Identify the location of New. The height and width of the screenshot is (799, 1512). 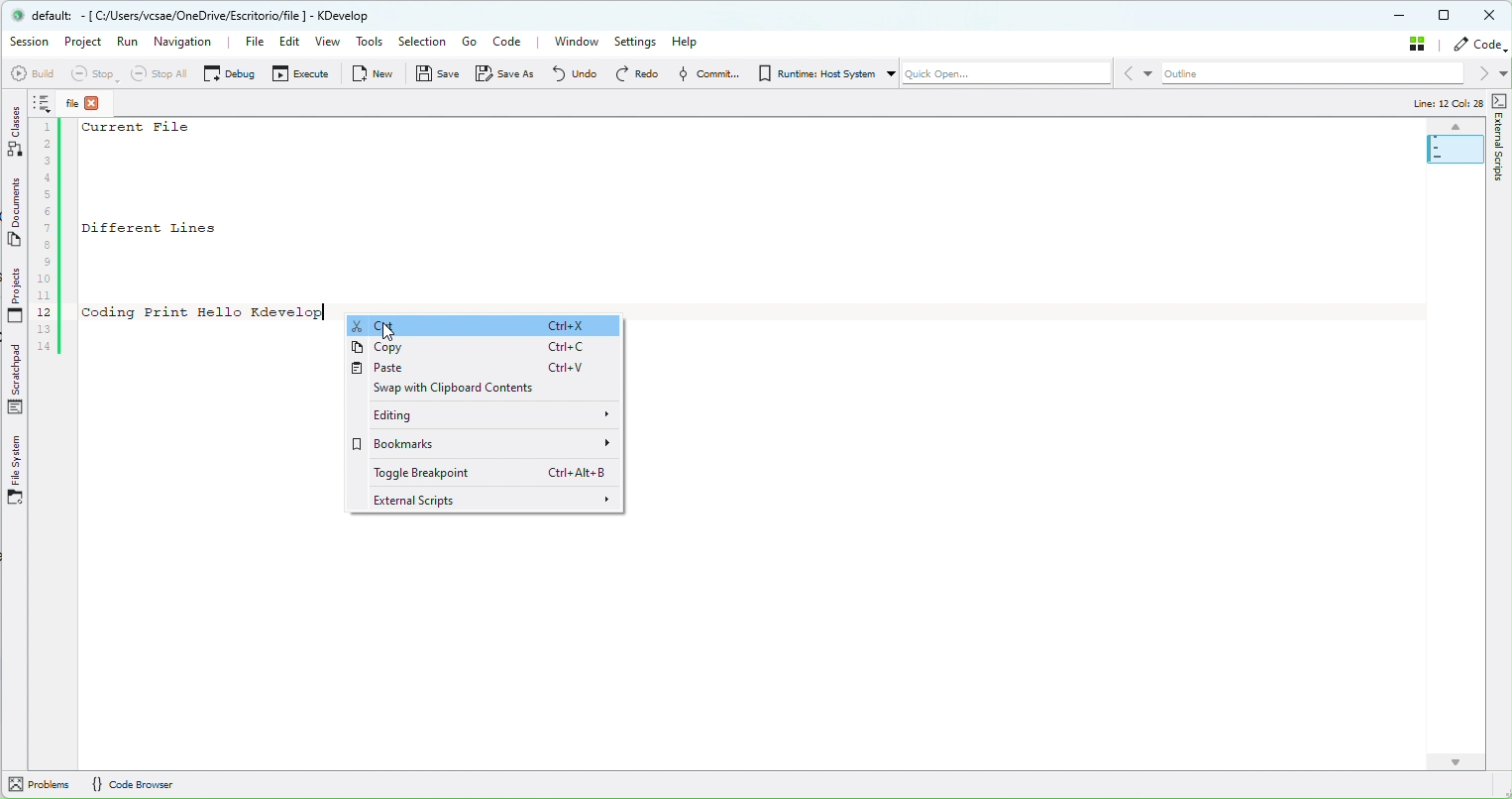
(368, 72).